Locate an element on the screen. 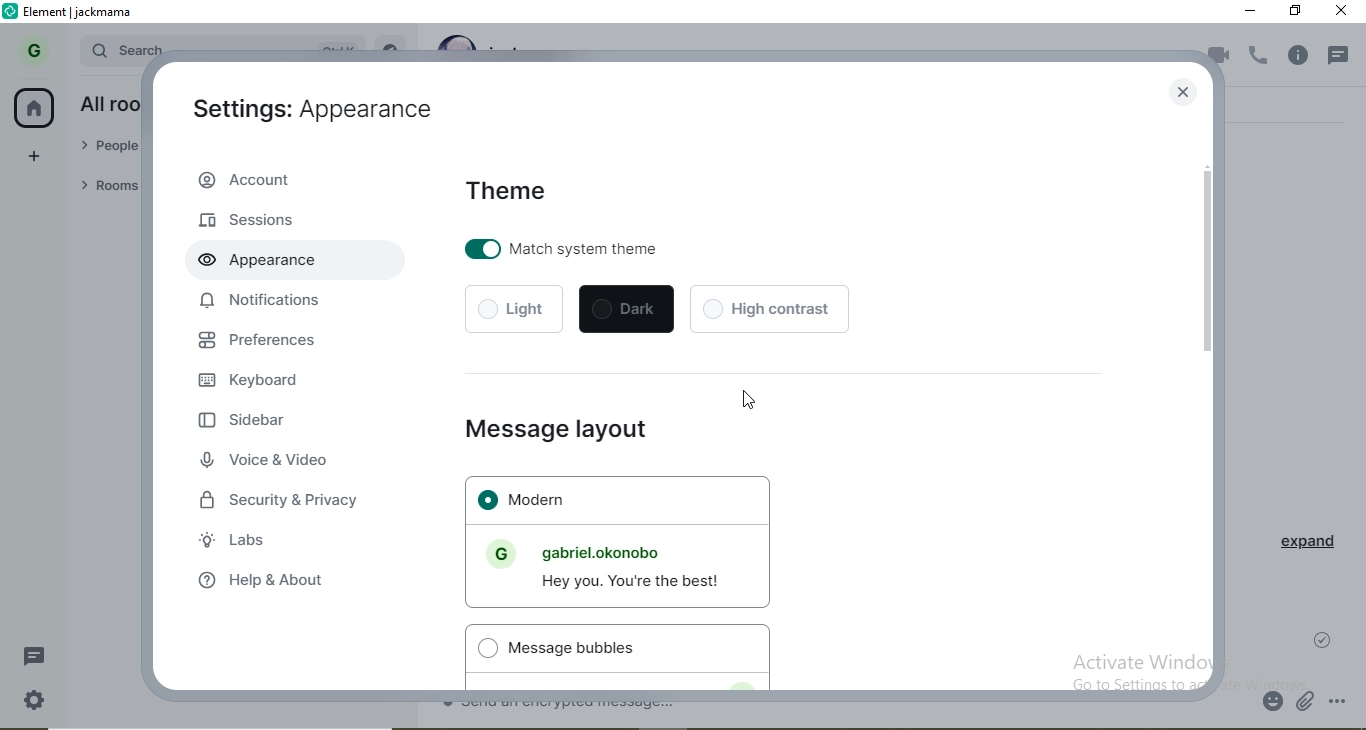 This screenshot has height=730, width=1366. modern is located at coordinates (624, 497).